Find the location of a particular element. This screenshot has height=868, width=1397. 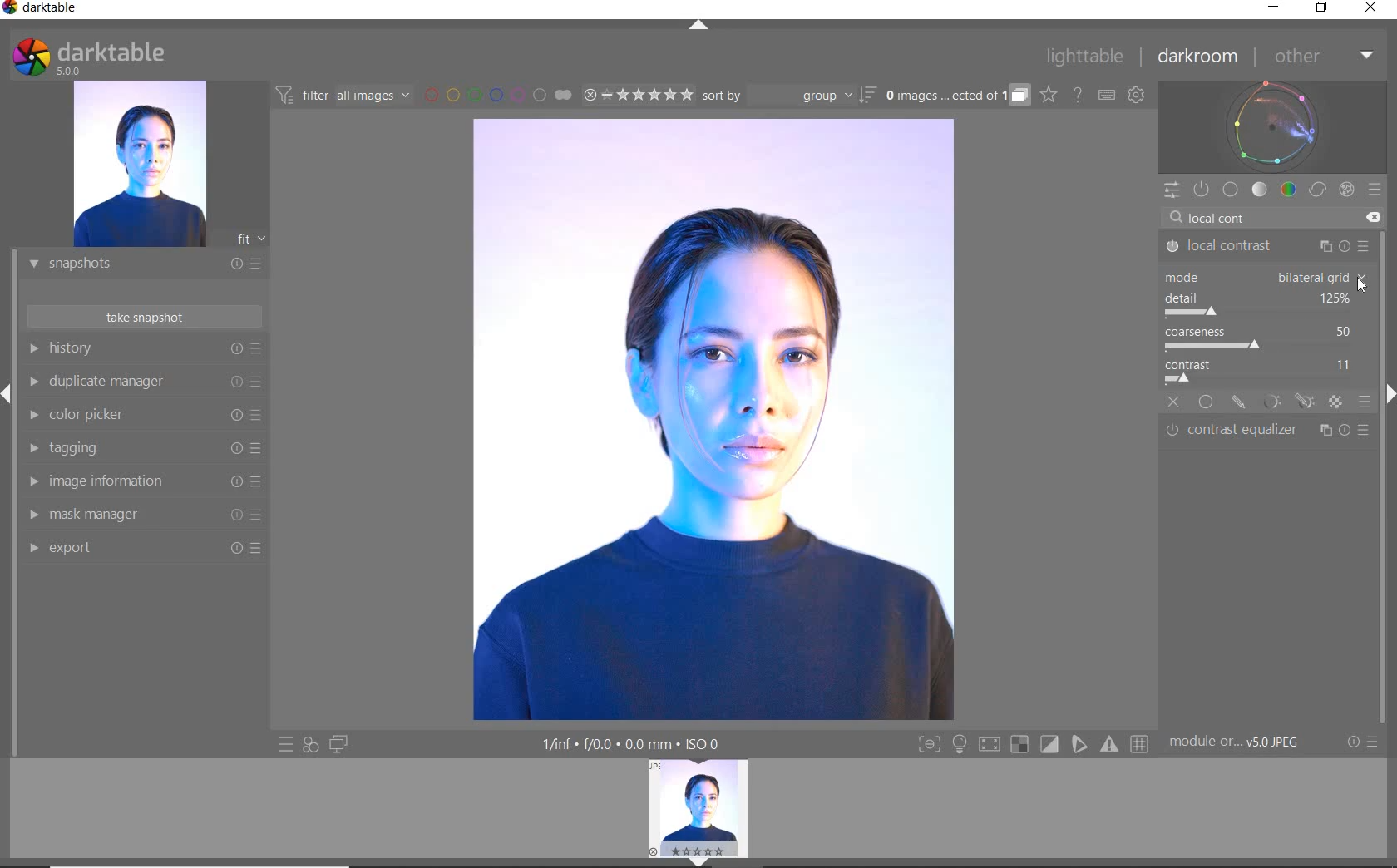

UNIFORMLY is located at coordinates (1205, 404).